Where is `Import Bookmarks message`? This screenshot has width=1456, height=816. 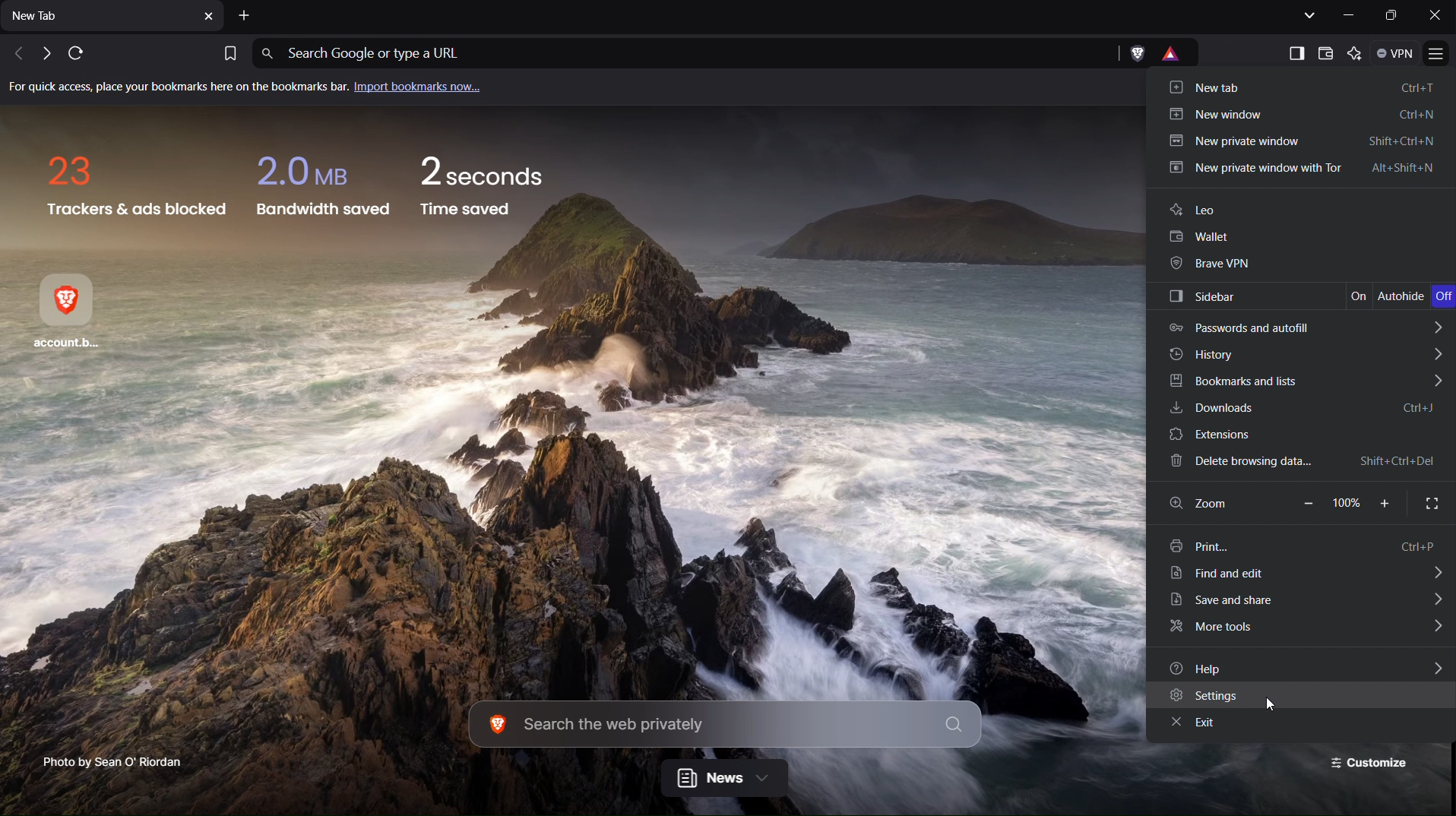
Import Bookmarks message is located at coordinates (255, 89).